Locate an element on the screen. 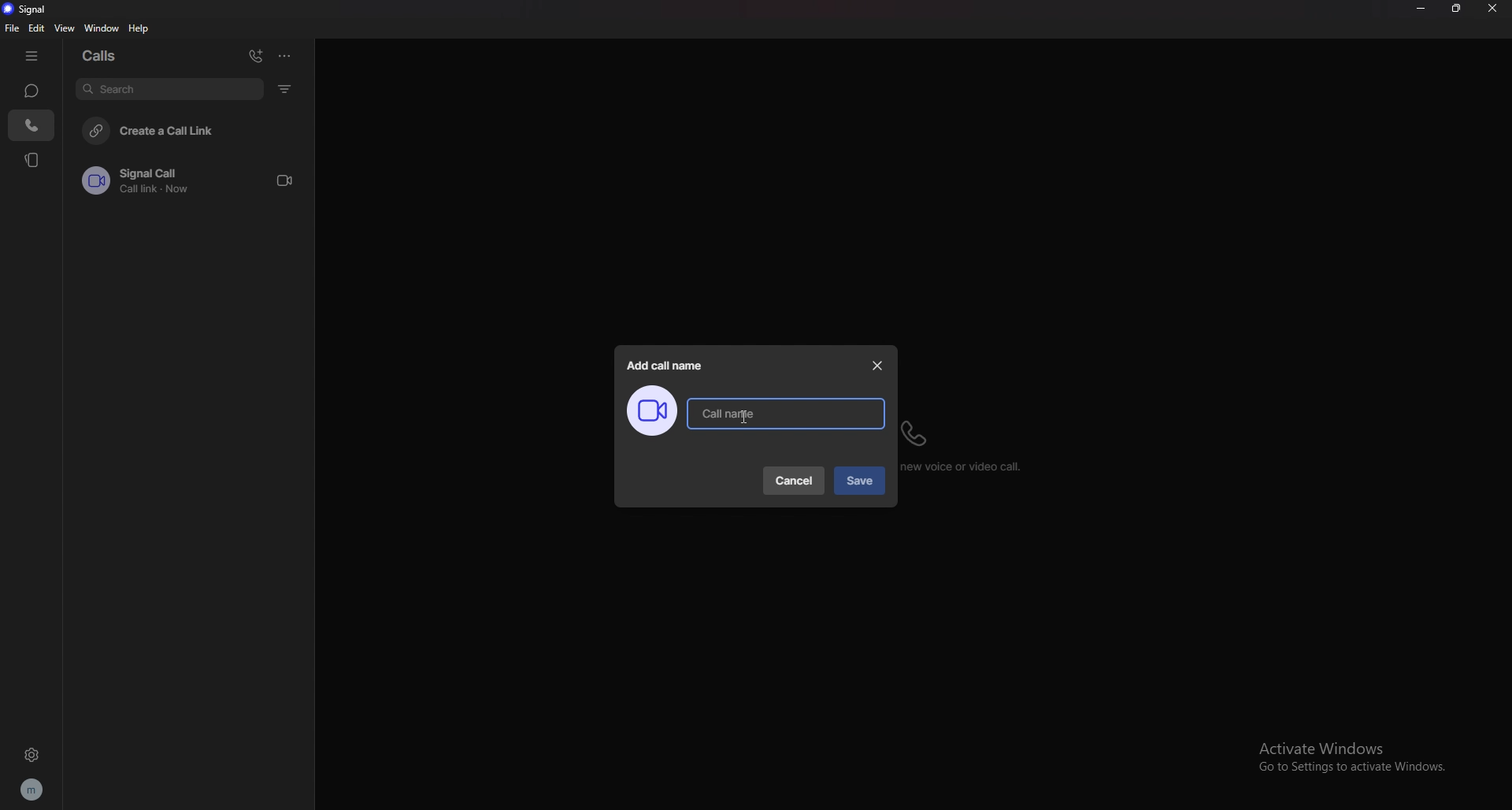 Image resolution: width=1512 pixels, height=810 pixels. create a call link is located at coordinates (194, 129).